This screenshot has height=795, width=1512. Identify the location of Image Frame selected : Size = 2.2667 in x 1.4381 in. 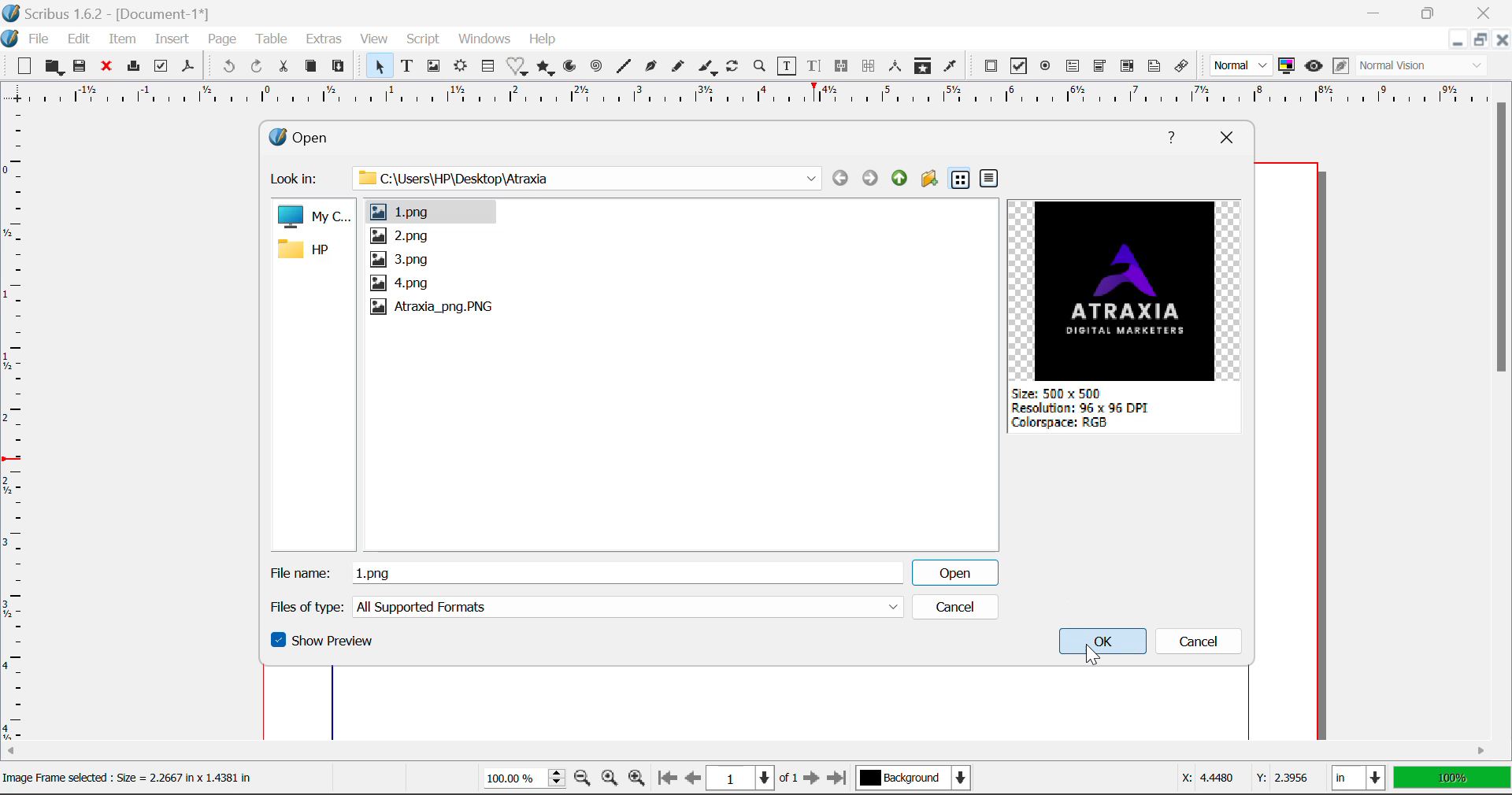
(134, 779).